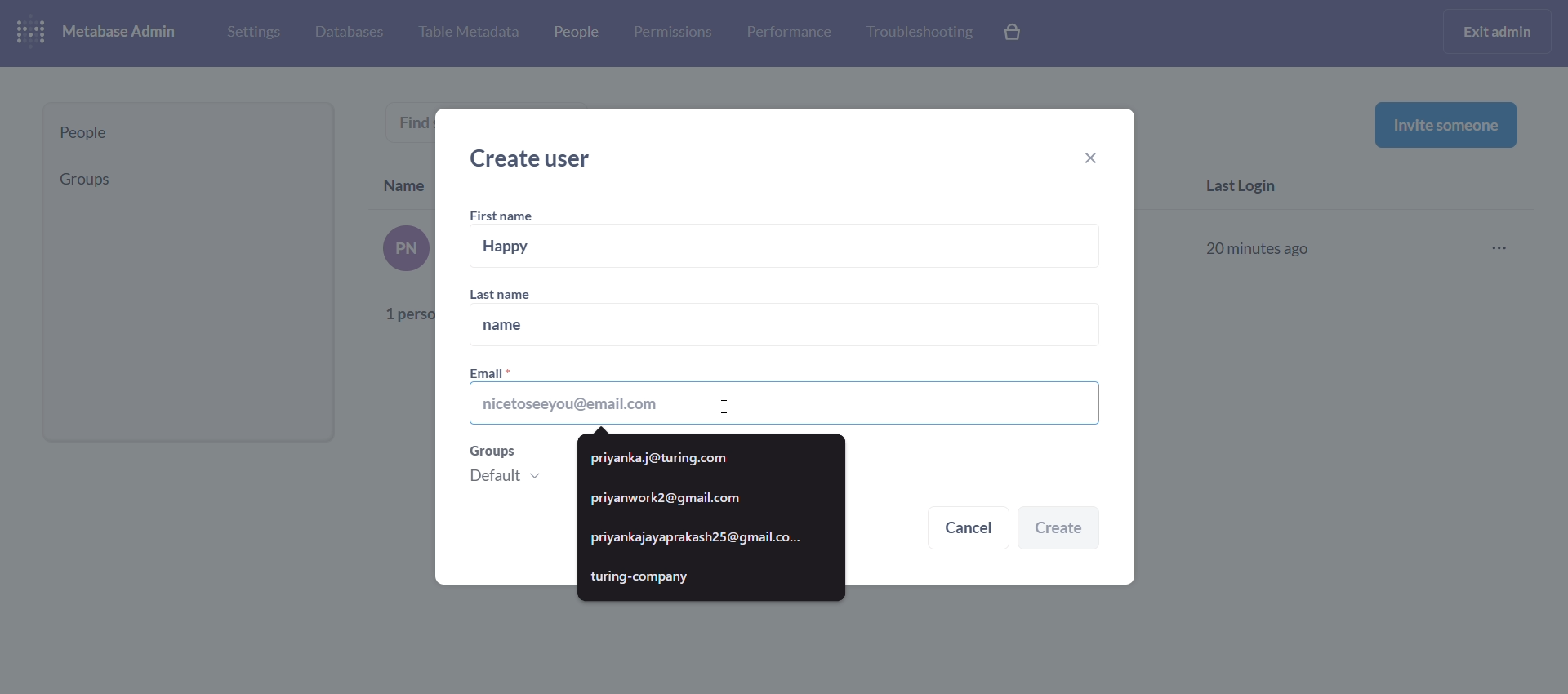  I want to click on email, so click(785, 396).